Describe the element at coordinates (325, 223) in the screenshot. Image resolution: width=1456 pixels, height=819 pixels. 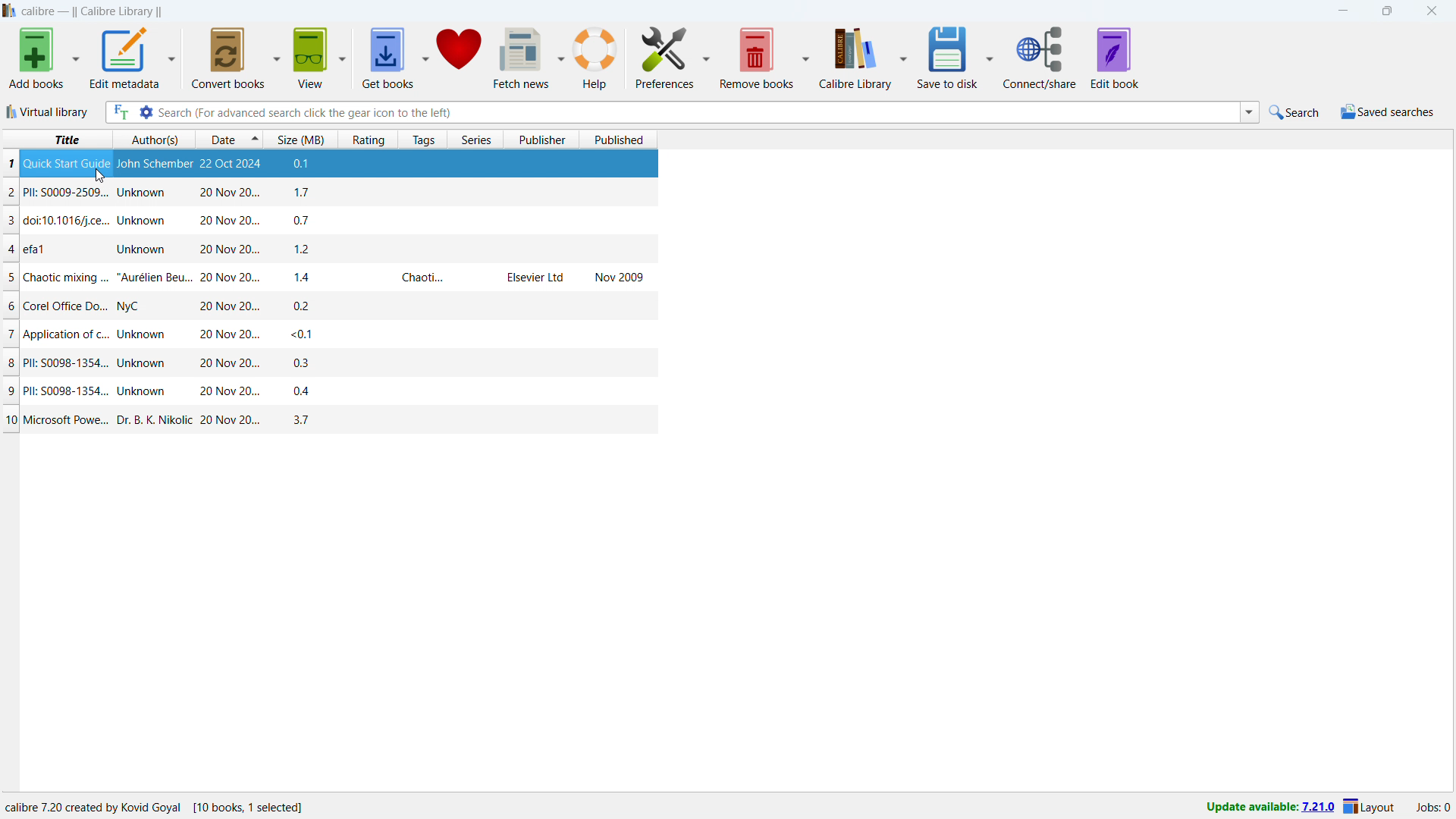
I see `one book entry` at that location.